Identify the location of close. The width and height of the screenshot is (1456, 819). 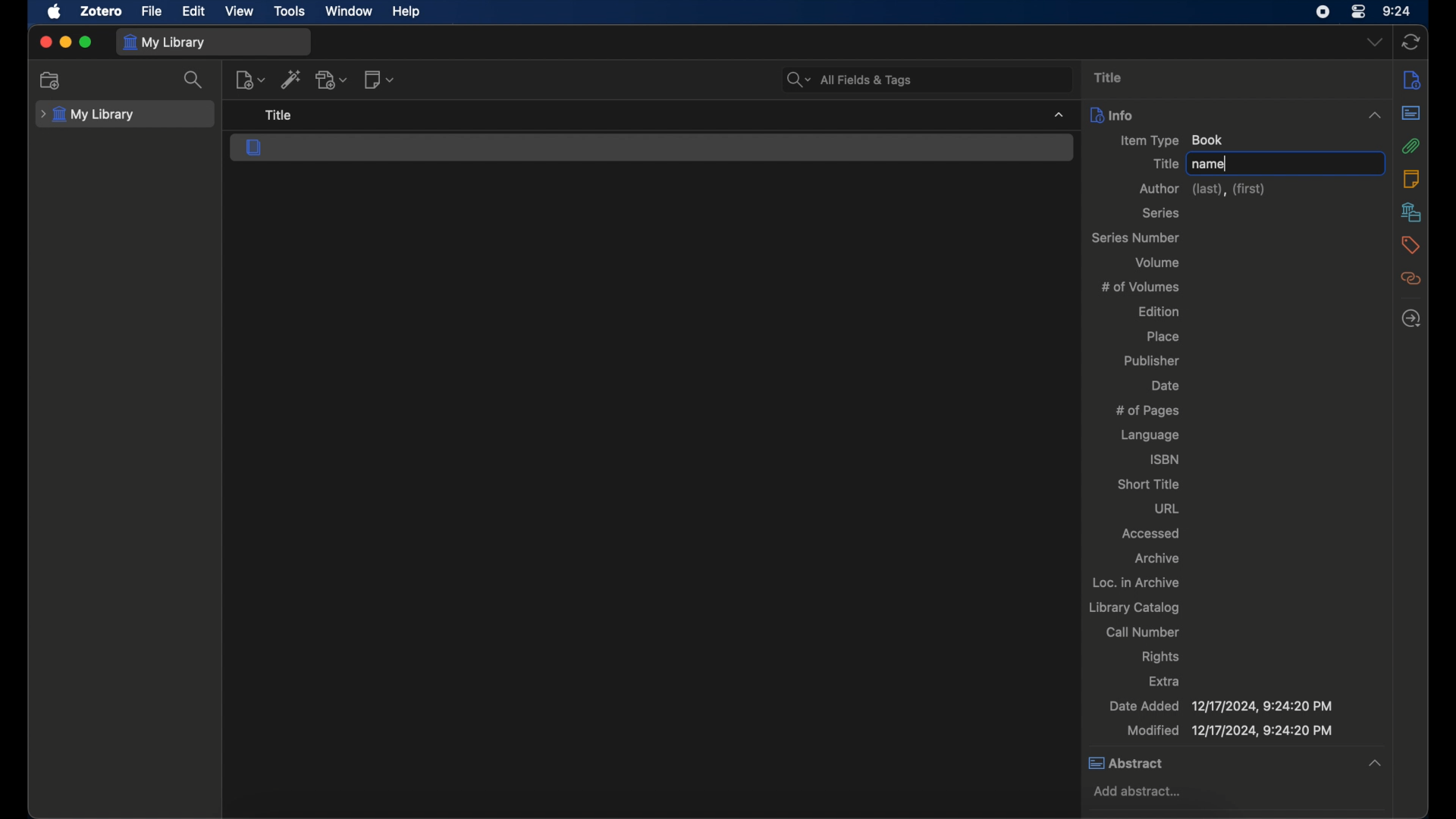
(46, 42).